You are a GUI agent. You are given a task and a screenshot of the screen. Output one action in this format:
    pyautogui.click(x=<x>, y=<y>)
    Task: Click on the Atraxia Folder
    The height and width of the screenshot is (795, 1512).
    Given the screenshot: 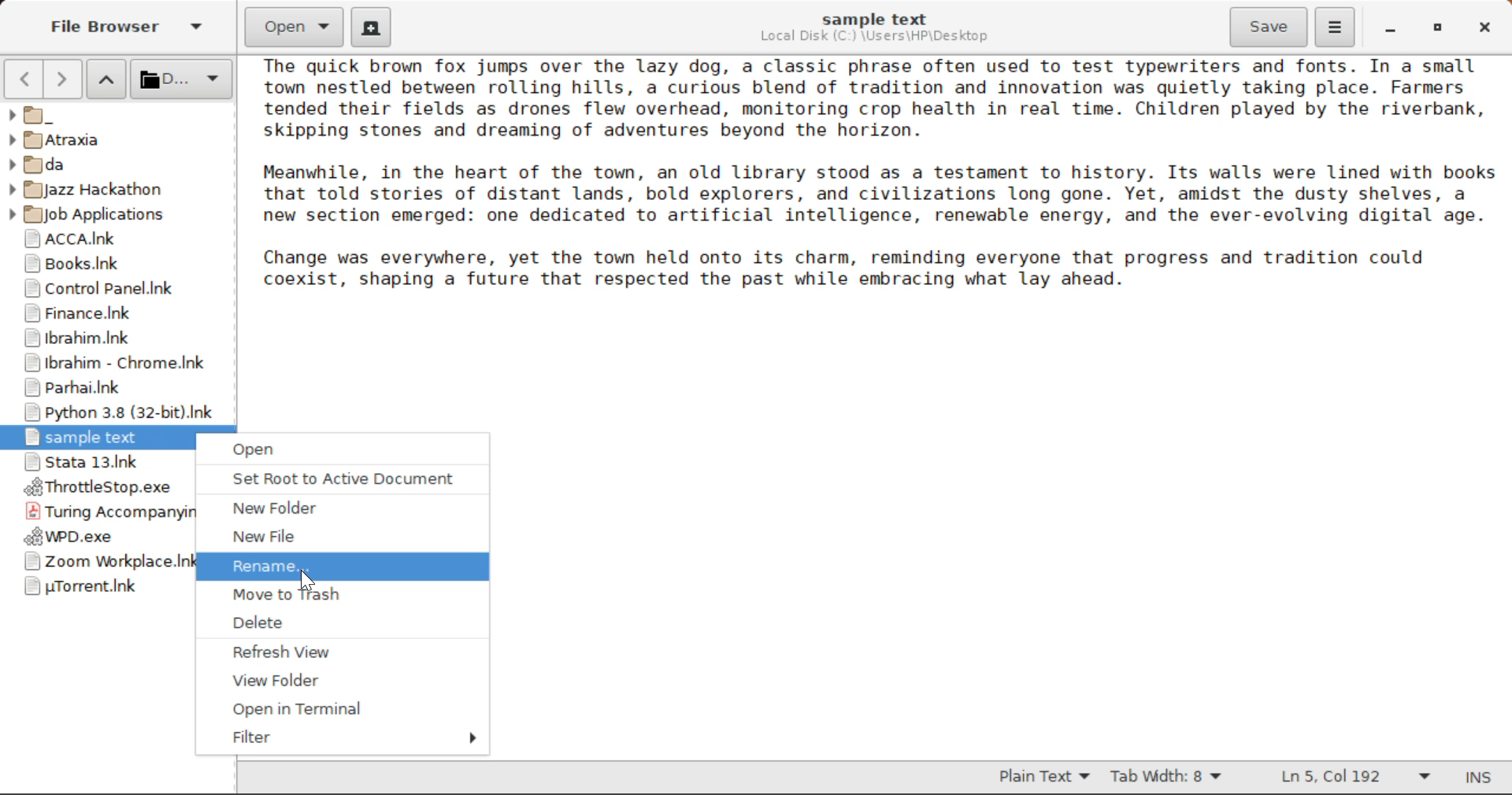 What is the action you would take?
    pyautogui.click(x=117, y=139)
    